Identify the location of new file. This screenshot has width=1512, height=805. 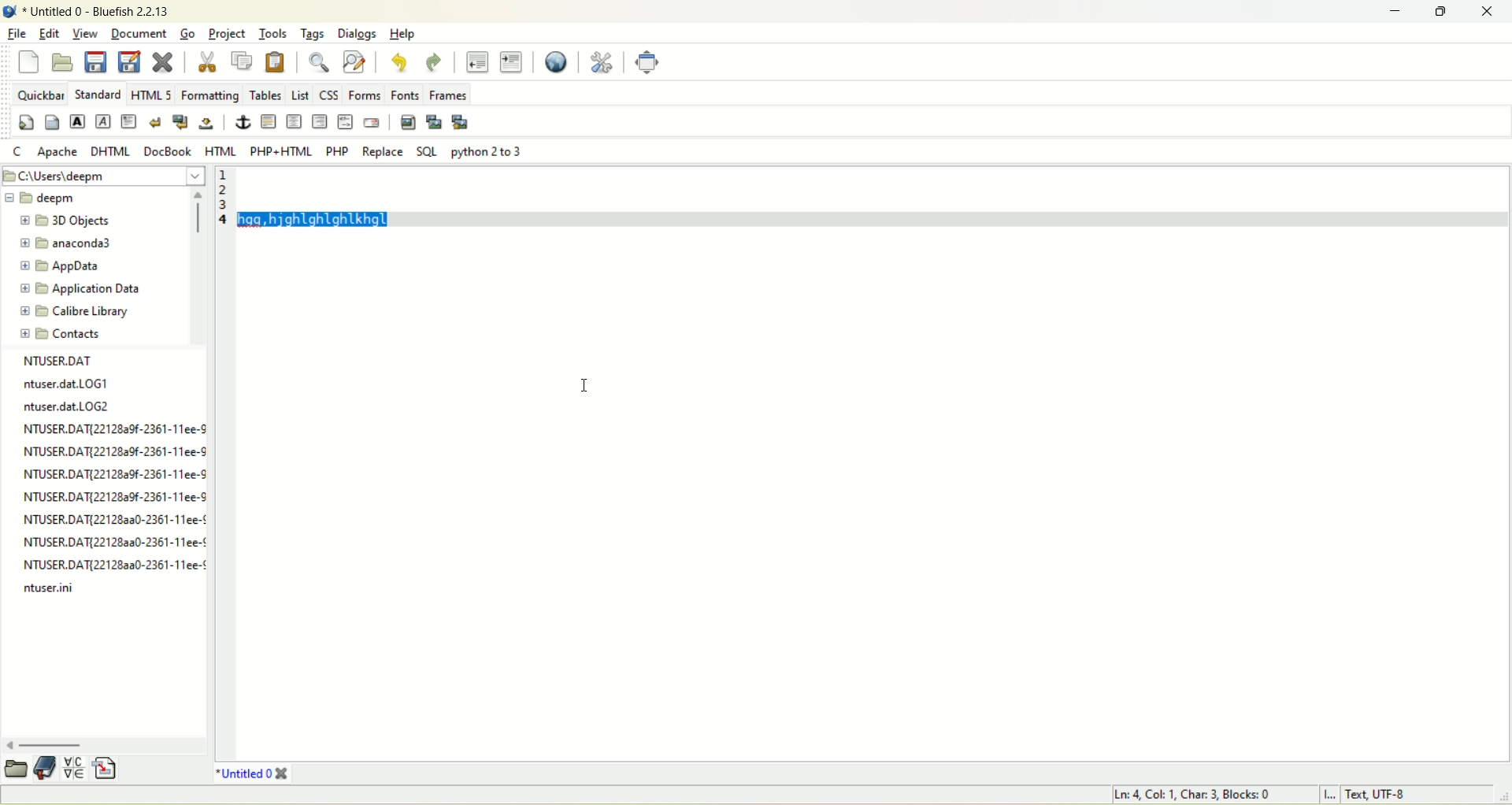
(30, 62).